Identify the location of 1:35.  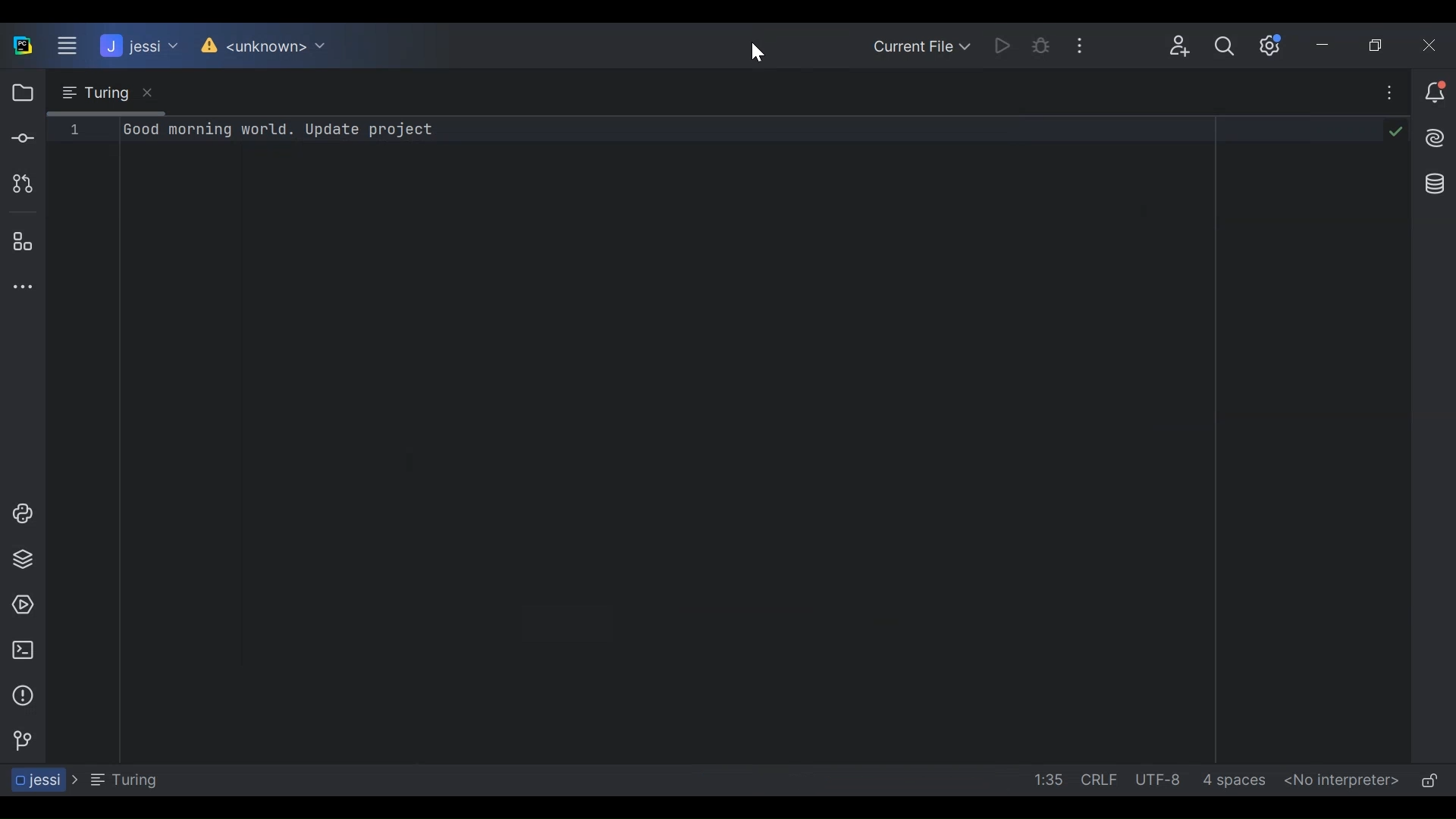
(1046, 780).